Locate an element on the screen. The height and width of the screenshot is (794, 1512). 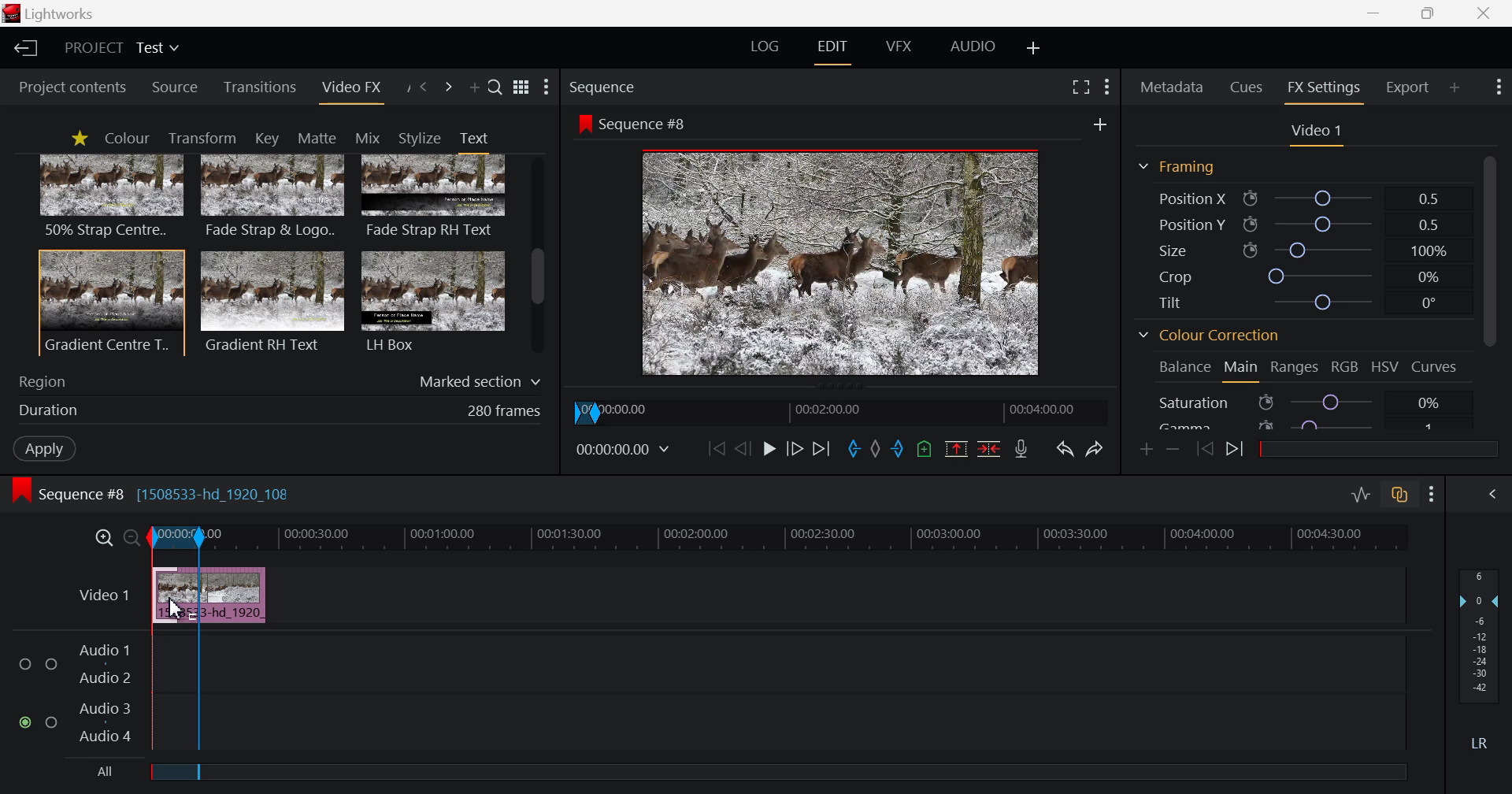
Sequence #8 is located at coordinates (639, 122).